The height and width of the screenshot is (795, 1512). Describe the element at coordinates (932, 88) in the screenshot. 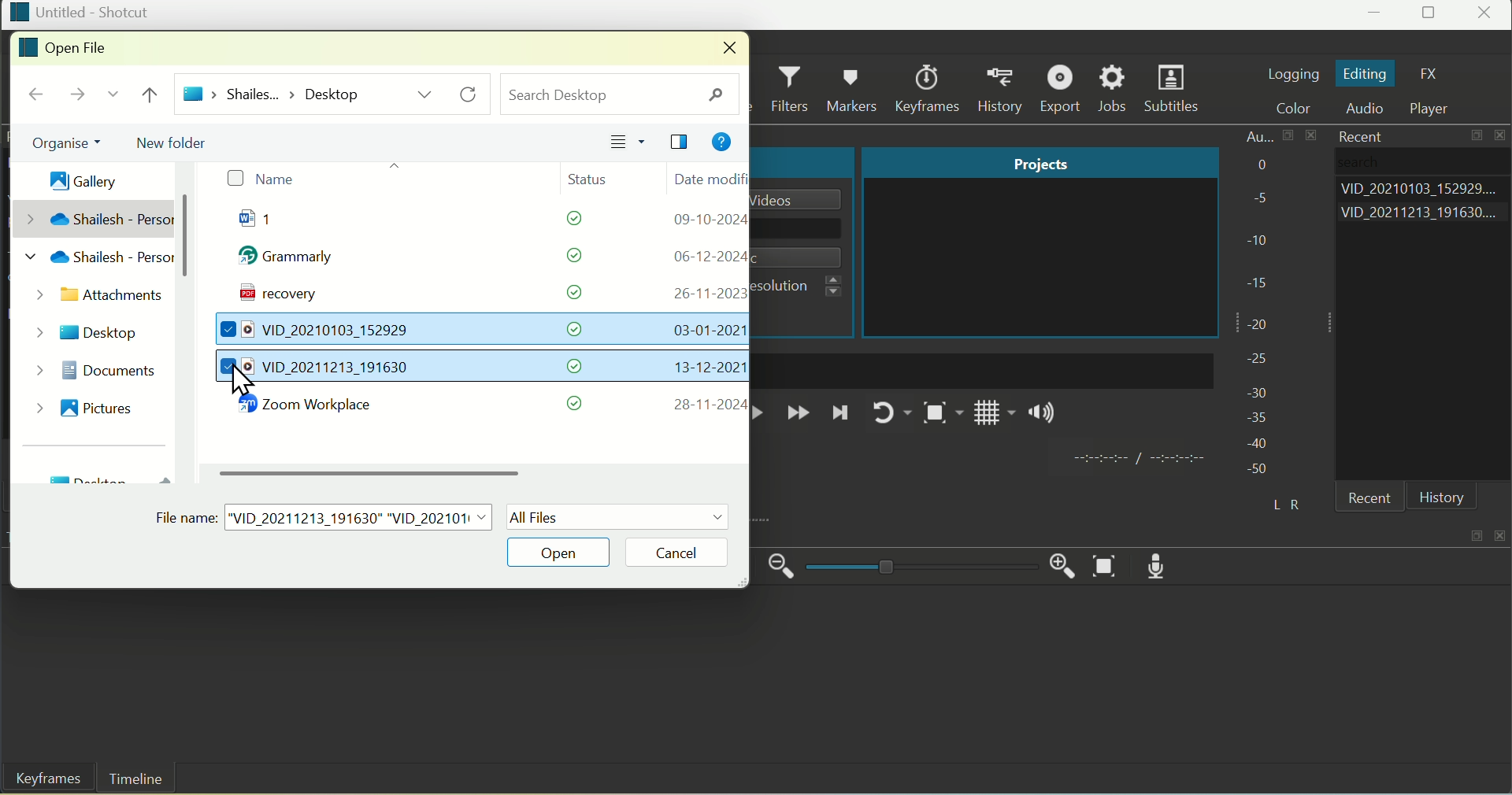

I see `Keyframes` at that location.